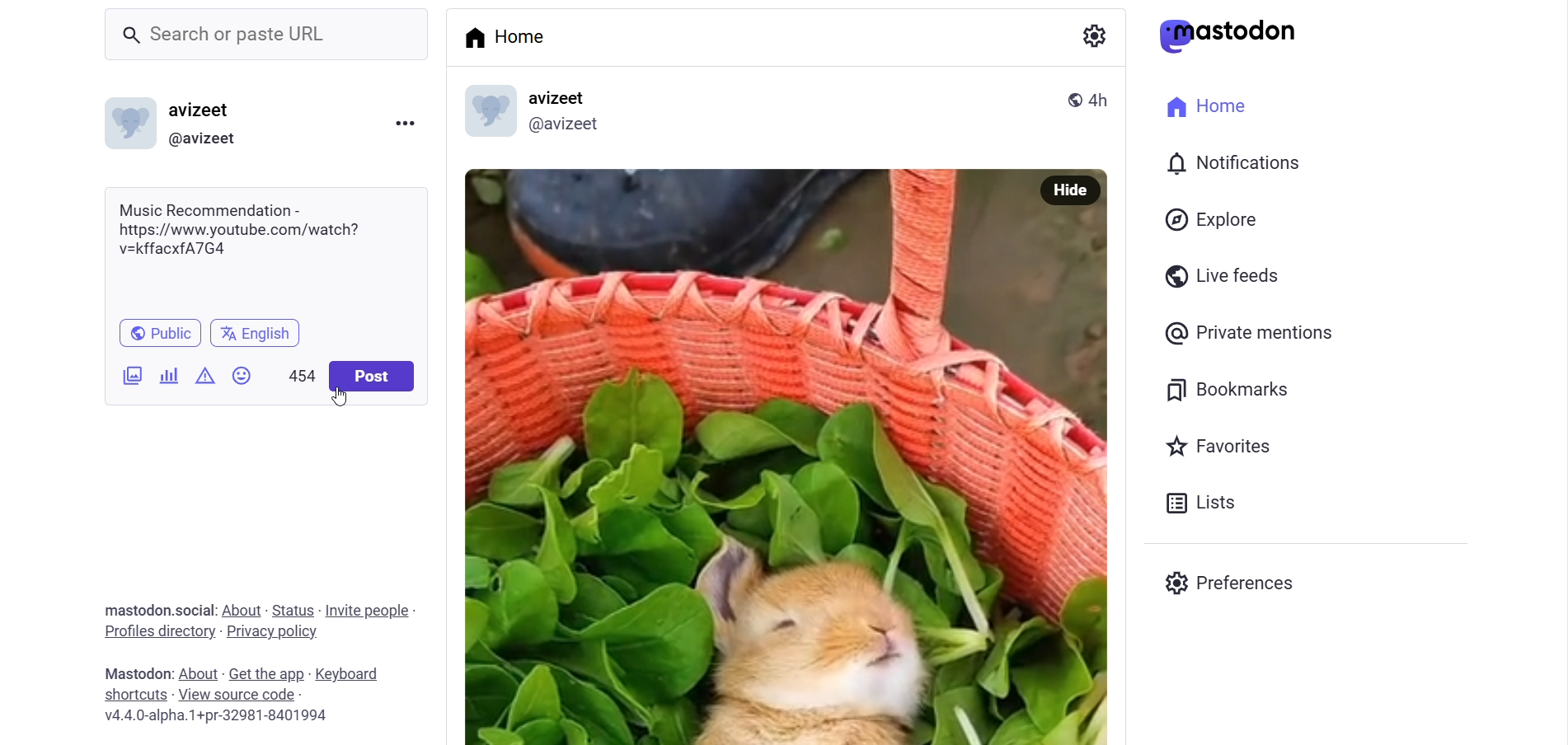 The image size is (1568, 745). I want to click on profile picture, so click(488, 110).